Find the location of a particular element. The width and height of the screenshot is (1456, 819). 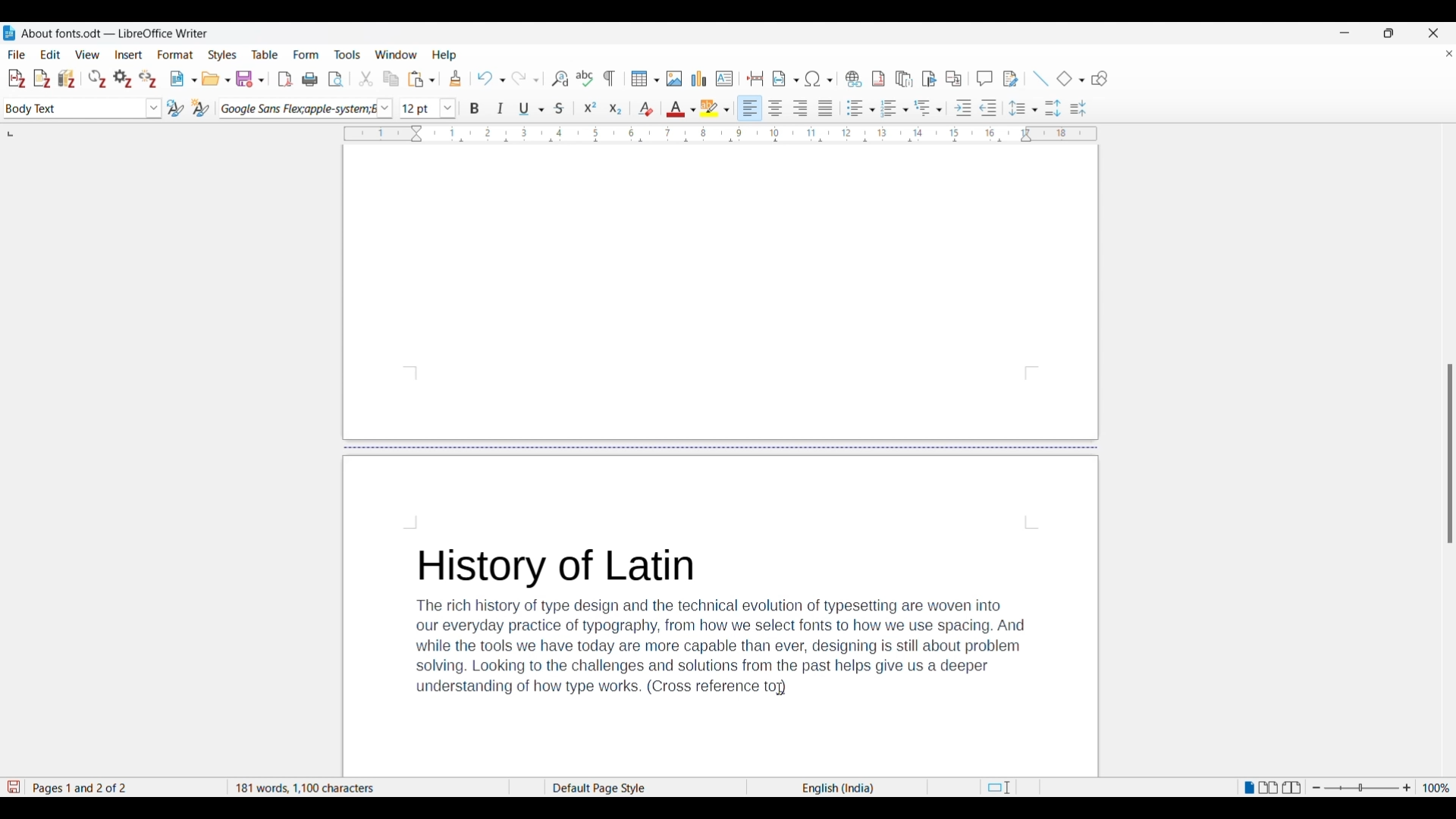

Clone formatting is located at coordinates (456, 78).